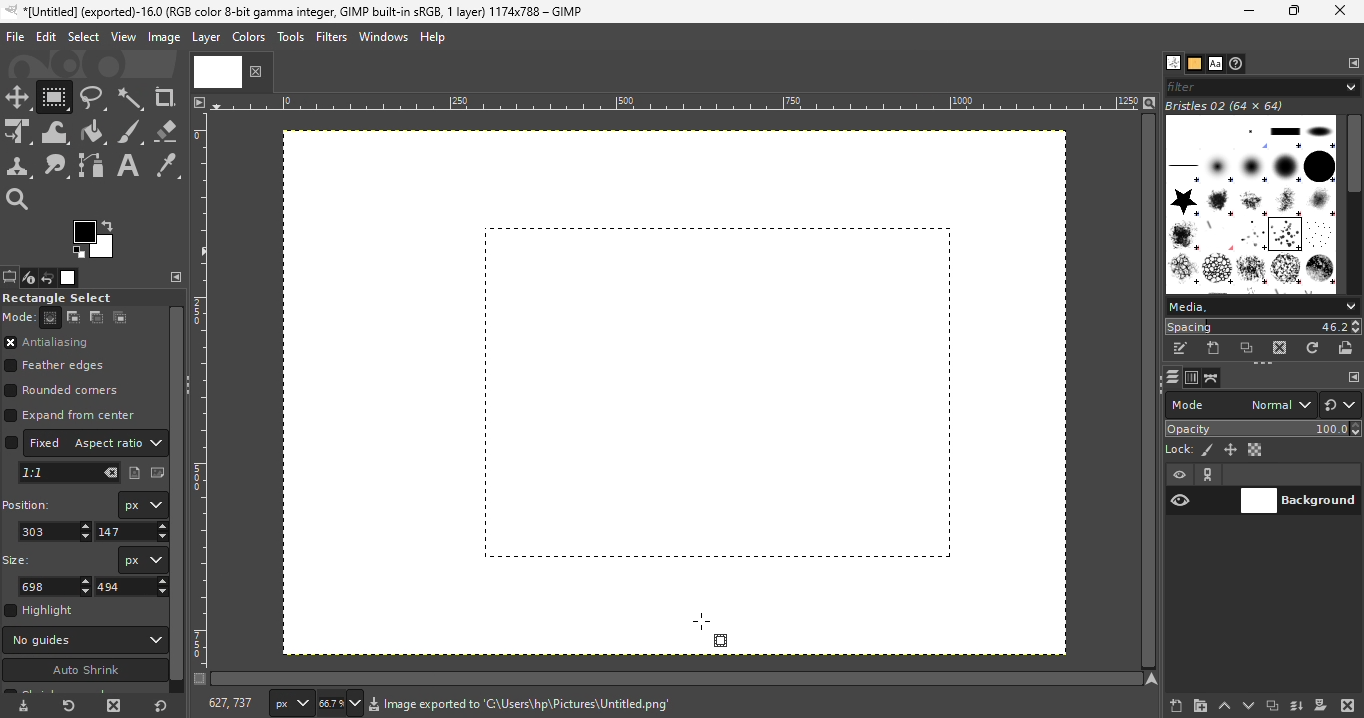  I want to click on Wrap transform, so click(57, 132).